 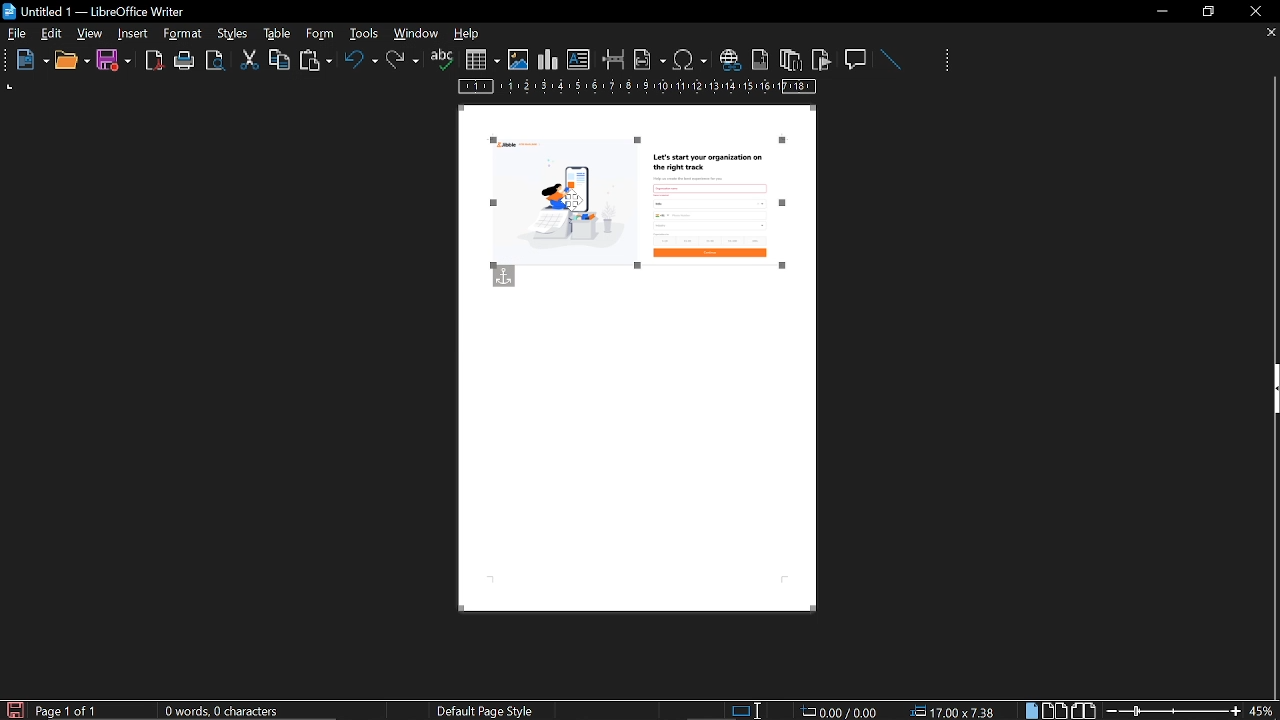 What do you see at coordinates (14, 709) in the screenshot?
I see `save` at bounding box center [14, 709].